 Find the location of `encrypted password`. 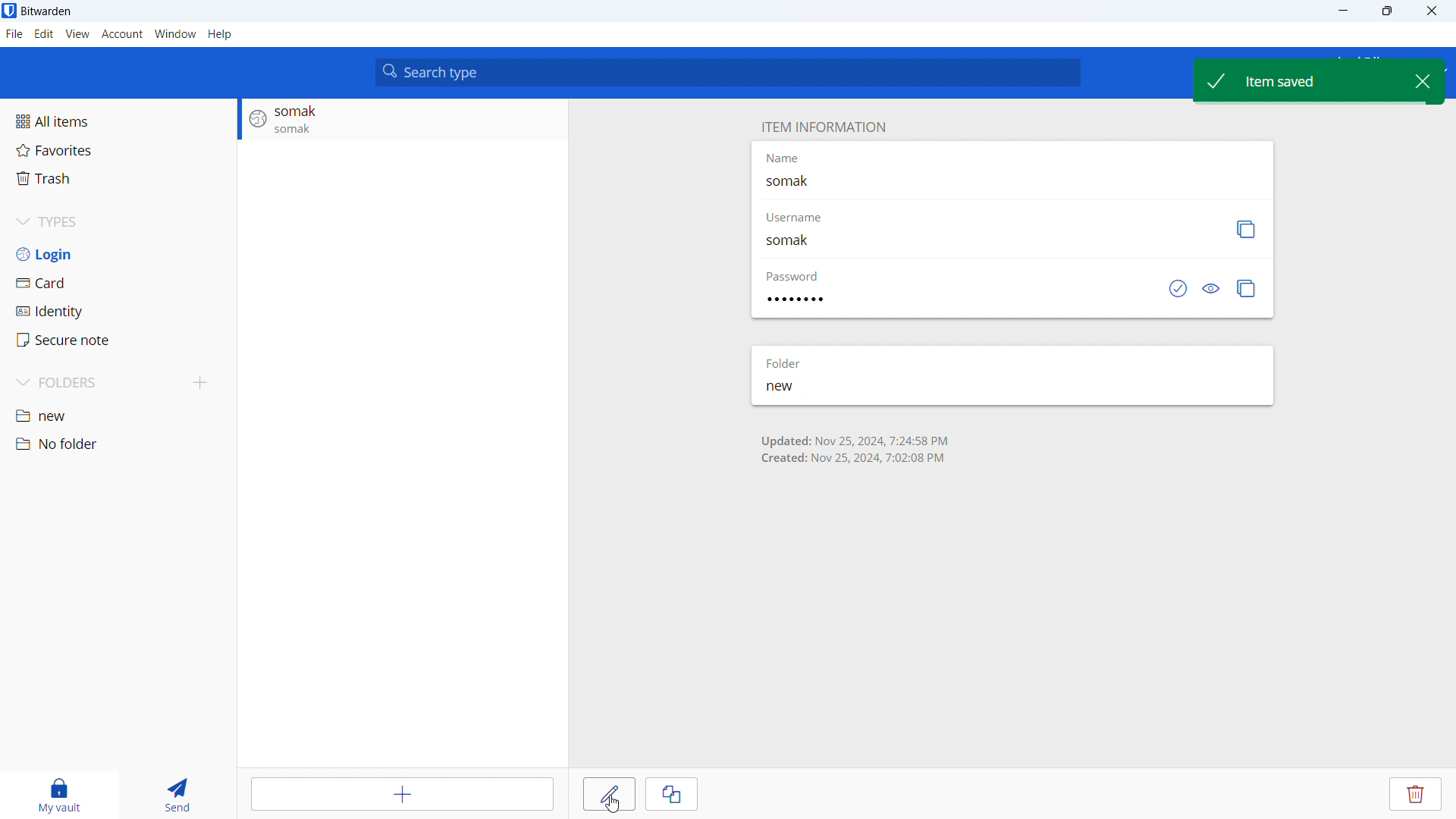

encrypted password is located at coordinates (802, 300).